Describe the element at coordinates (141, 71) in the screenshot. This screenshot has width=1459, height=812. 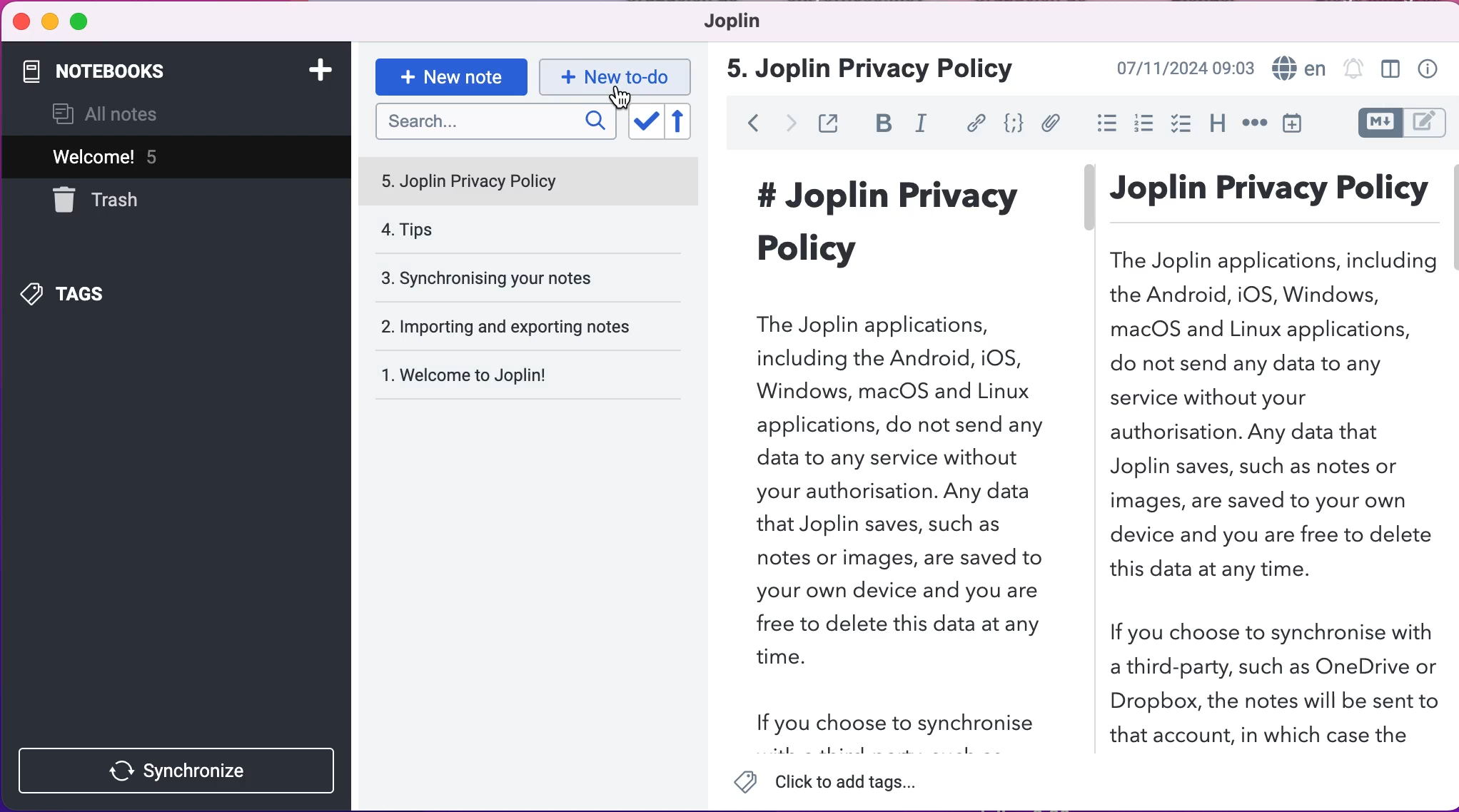
I see `notebooks` at that location.